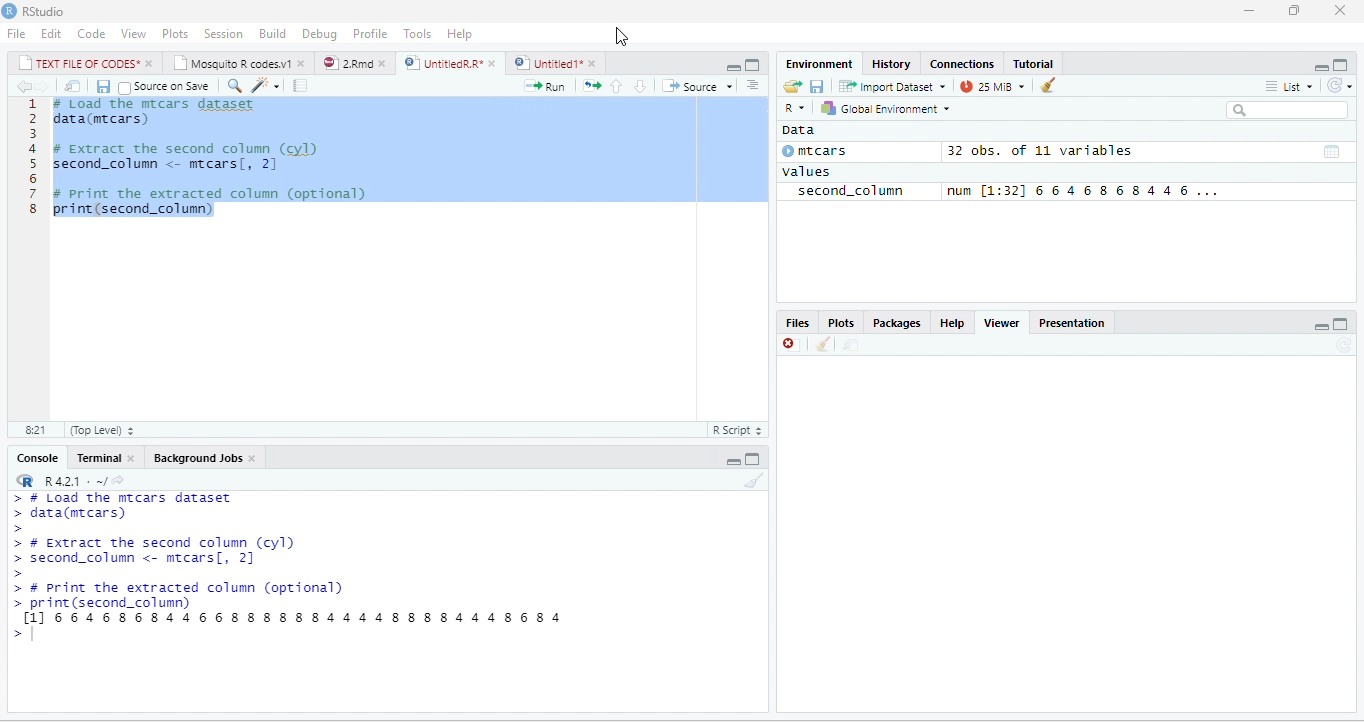  I want to click on minimize, so click(754, 64).